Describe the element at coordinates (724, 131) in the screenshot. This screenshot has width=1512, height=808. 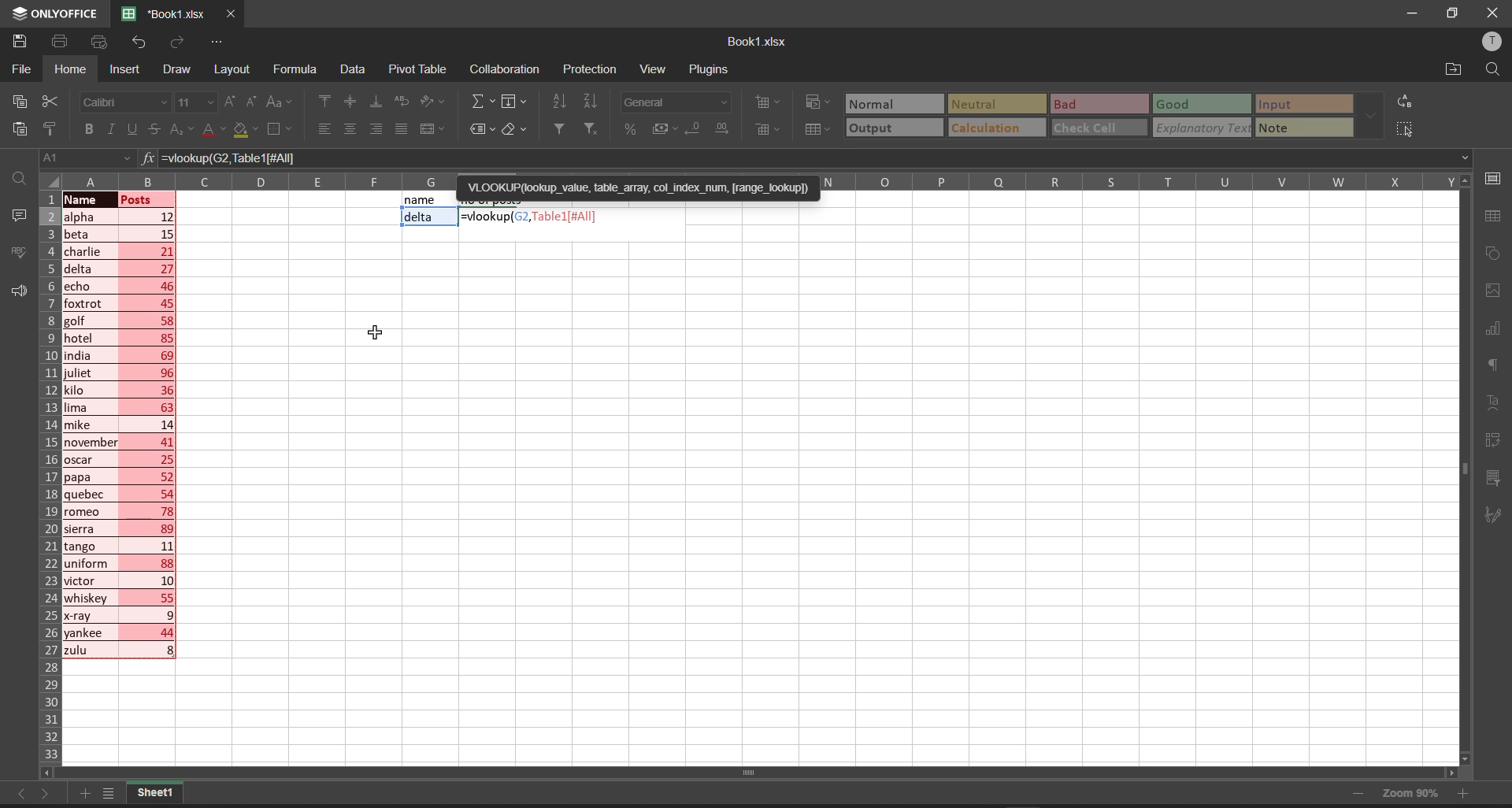
I see `increase decimal` at that location.